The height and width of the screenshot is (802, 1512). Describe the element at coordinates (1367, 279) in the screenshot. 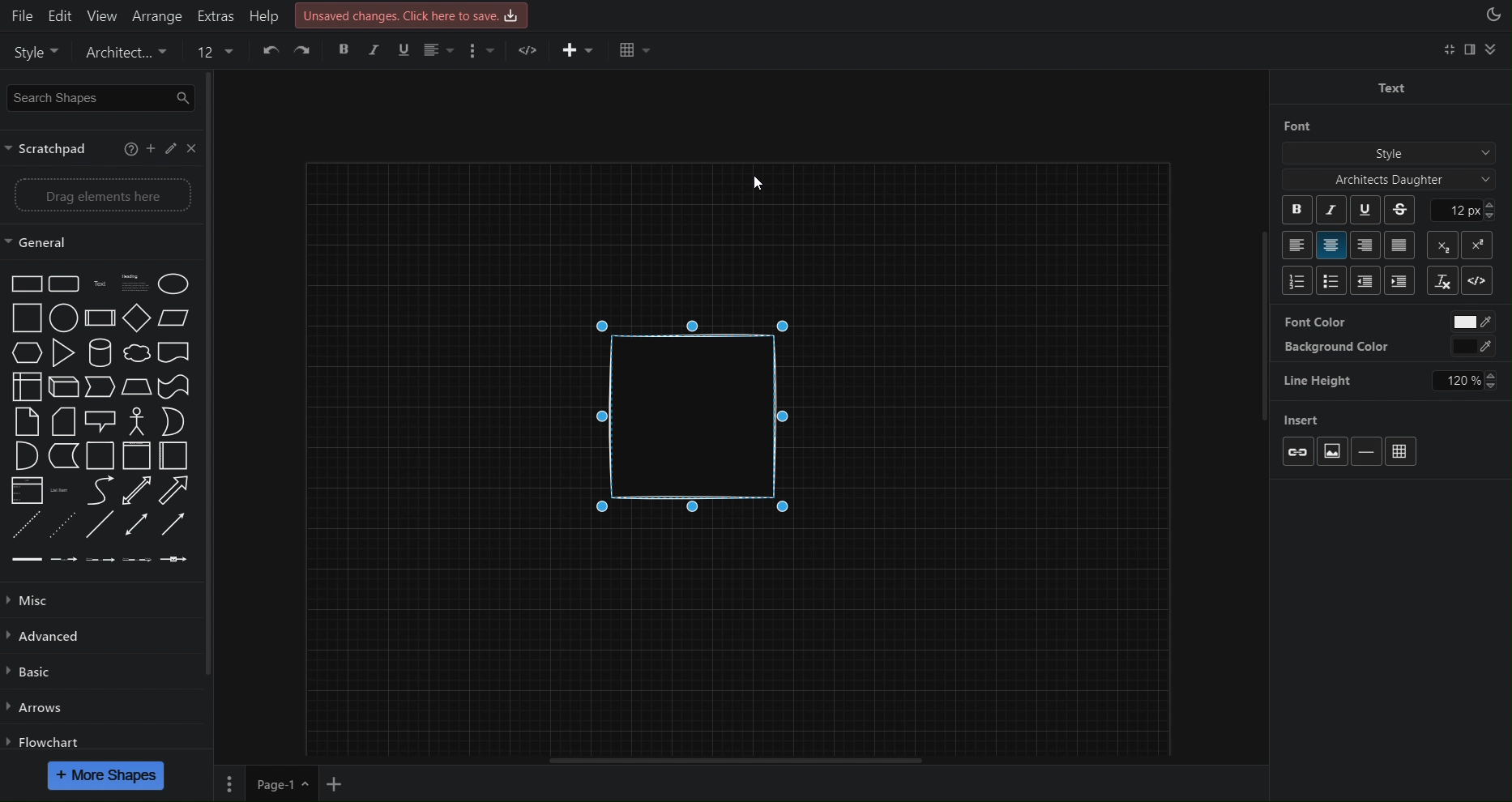

I see `Heading` at that location.